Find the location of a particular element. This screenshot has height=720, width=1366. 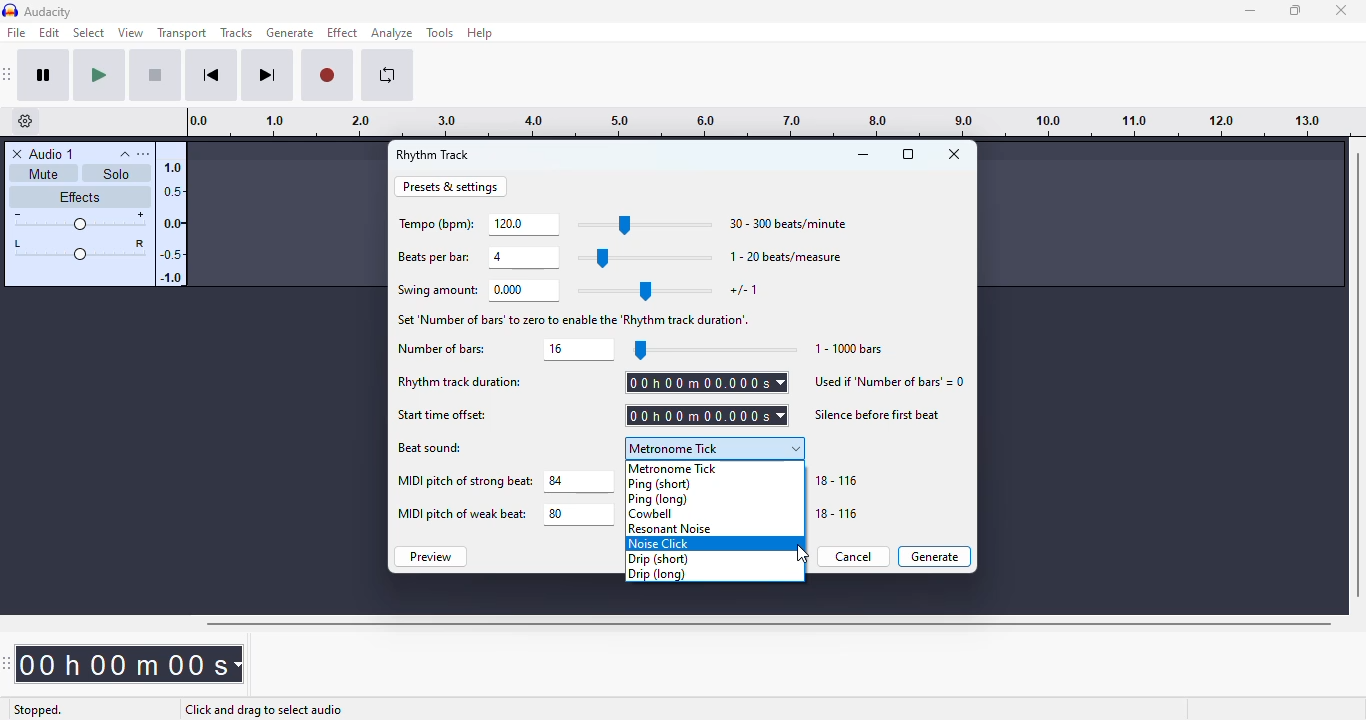

maximize is located at coordinates (1295, 10).